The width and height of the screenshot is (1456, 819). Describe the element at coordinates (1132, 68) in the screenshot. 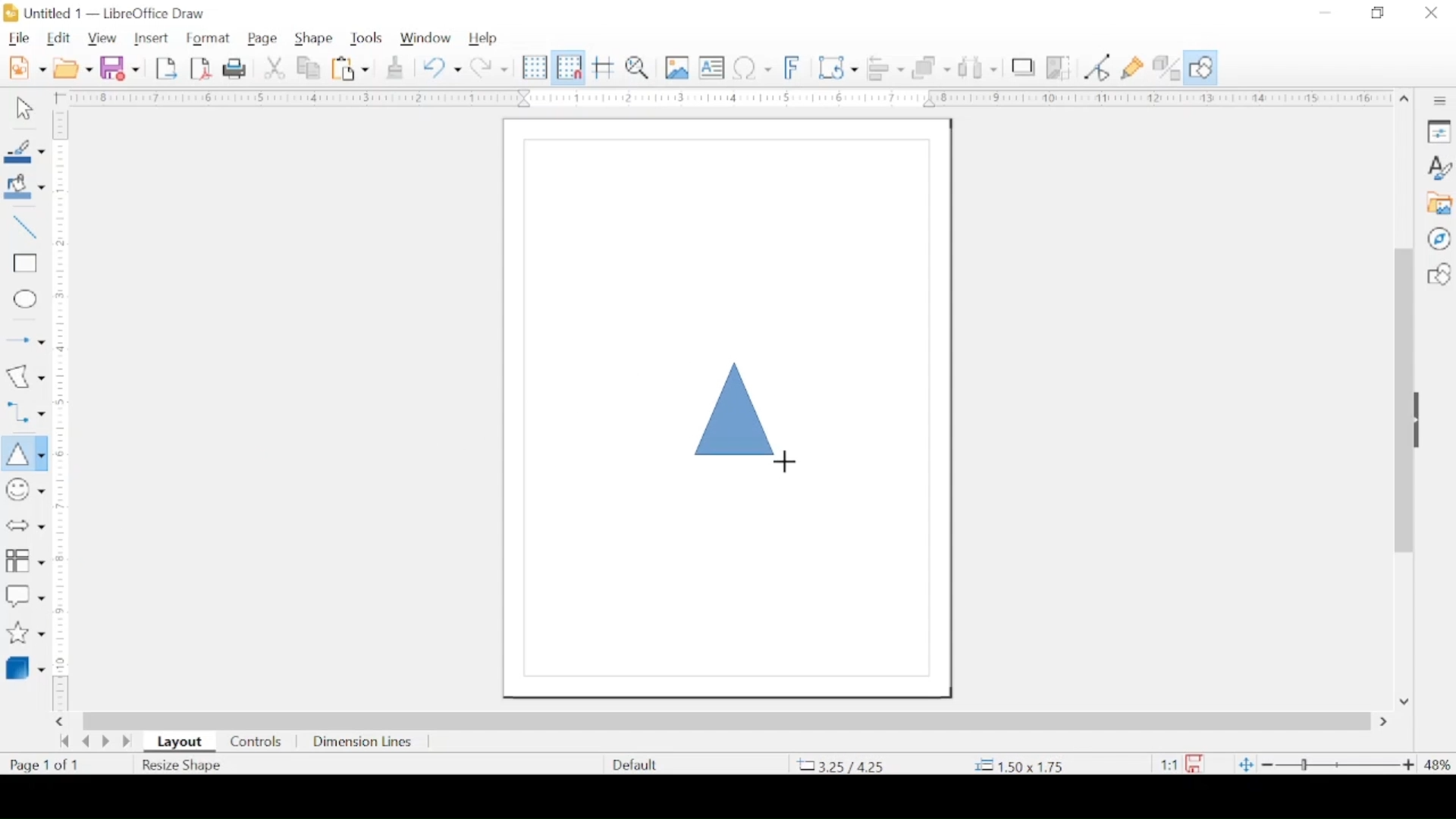

I see `show gluepoint functions` at that location.